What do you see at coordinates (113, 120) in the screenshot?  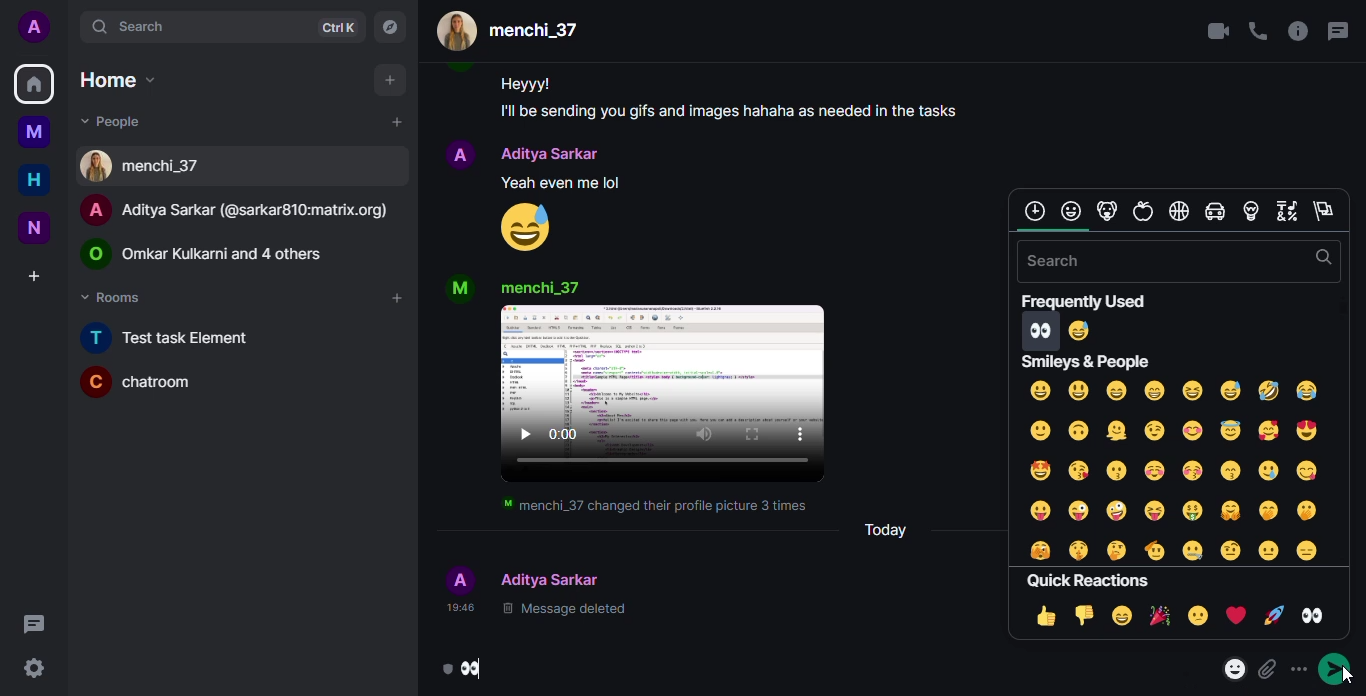 I see `people drop down` at bounding box center [113, 120].